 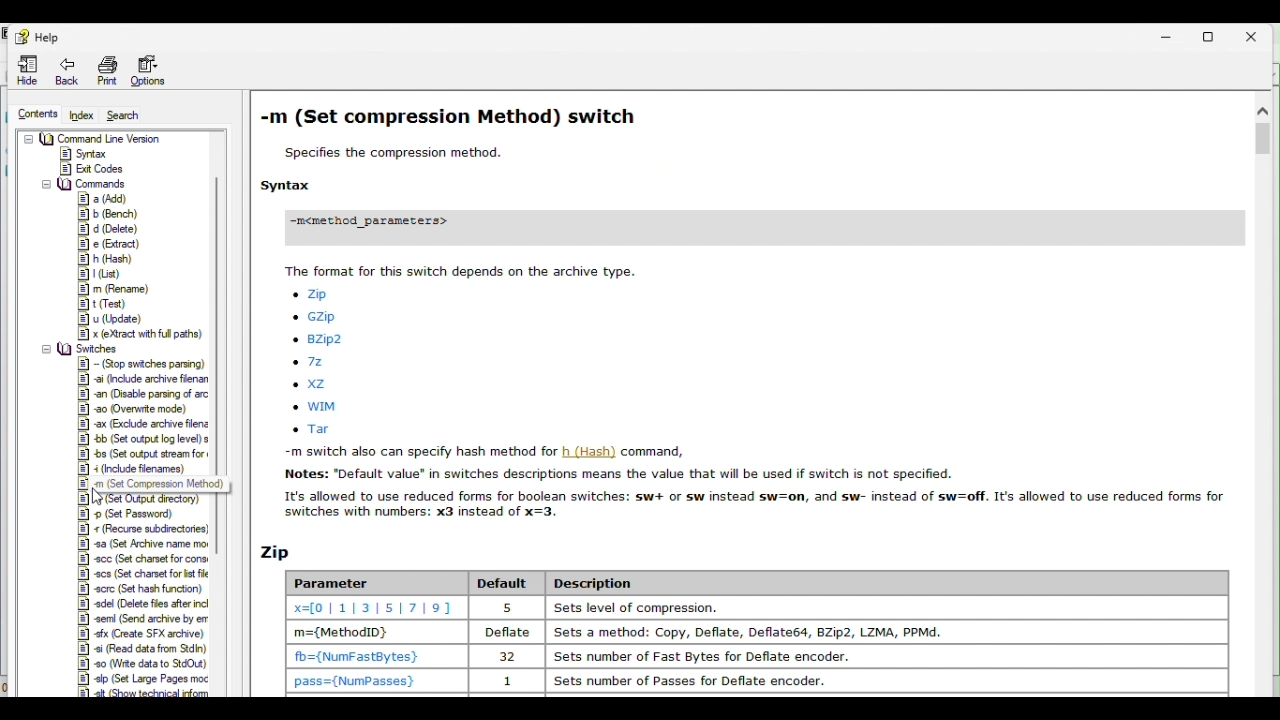 I want to click on set password, so click(x=132, y=514).